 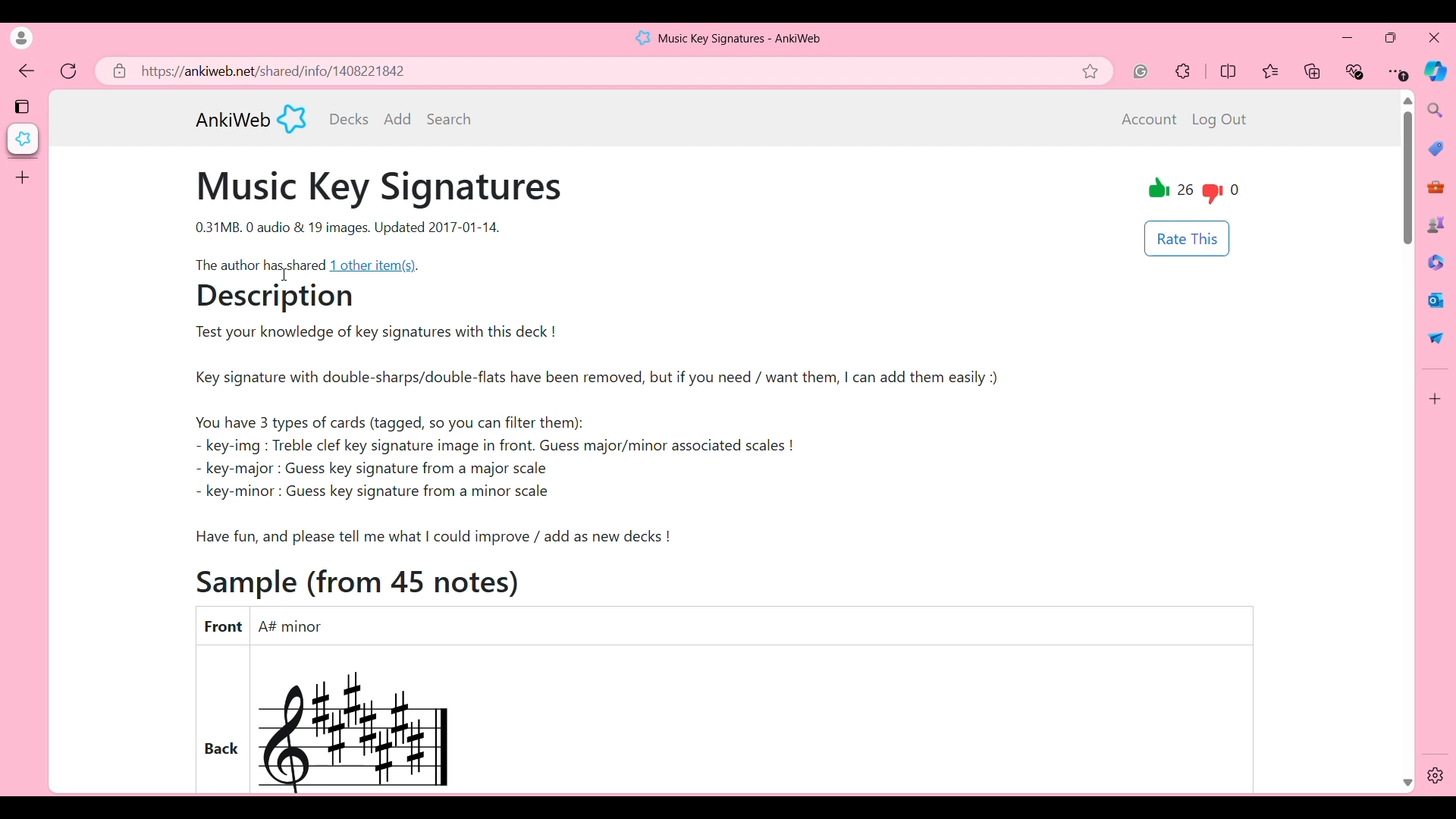 I want to click on Browser AI, so click(x=1435, y=71).